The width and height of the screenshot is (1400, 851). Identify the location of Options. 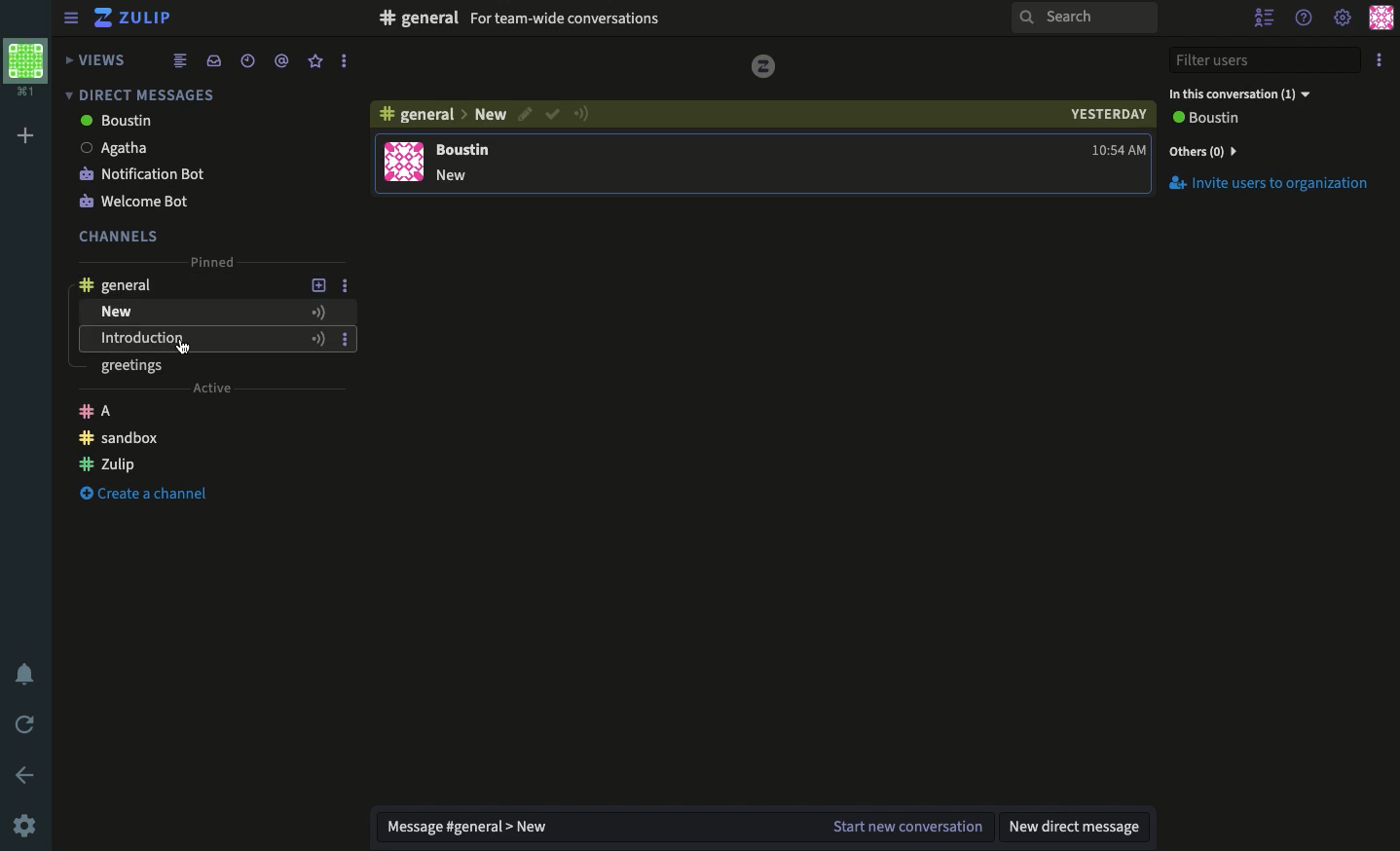
(345, 286).